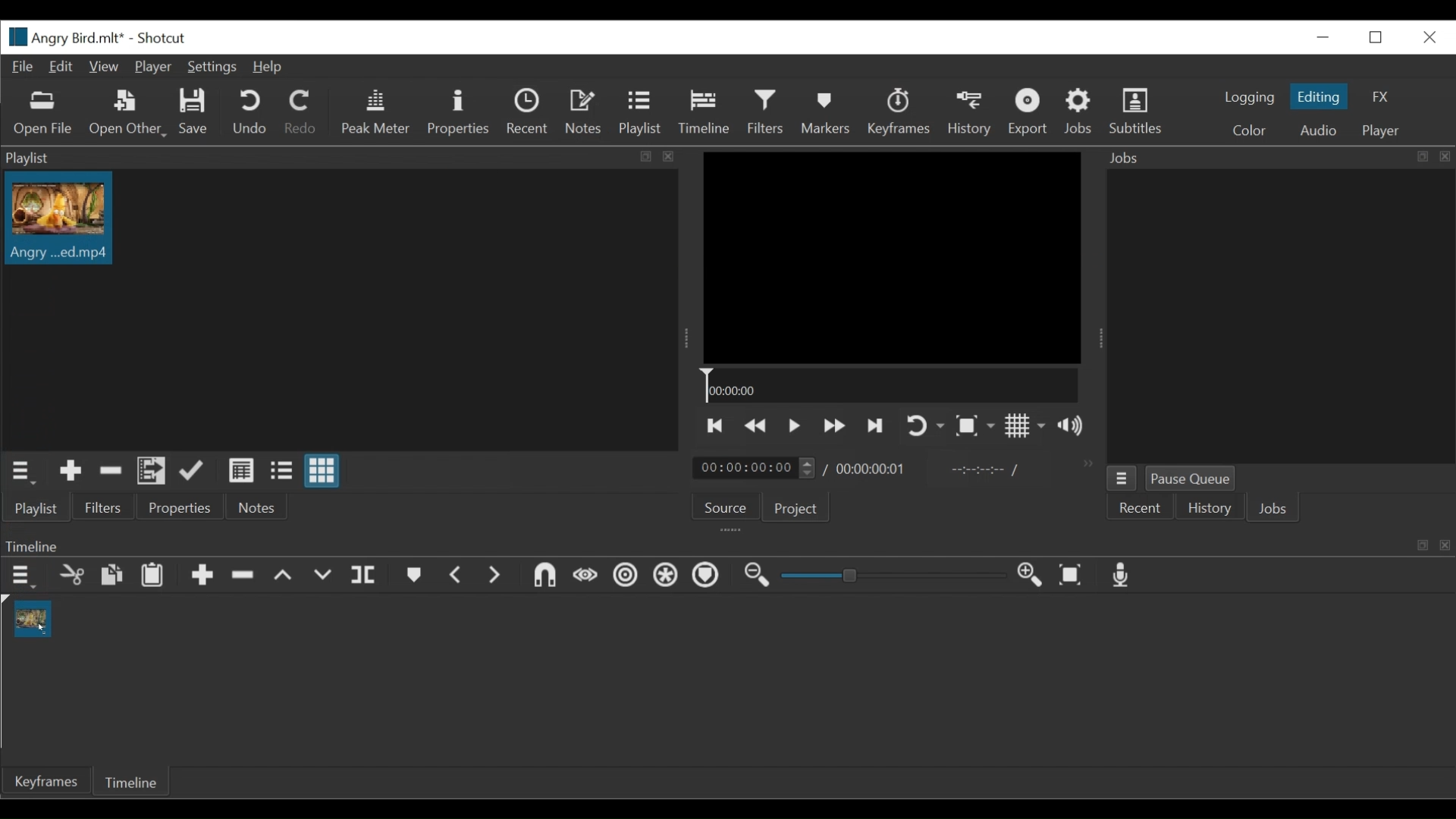 Image resolution: width=1456 pixels, height=819 pixels. I want to click on add clip, so click(202, 578).